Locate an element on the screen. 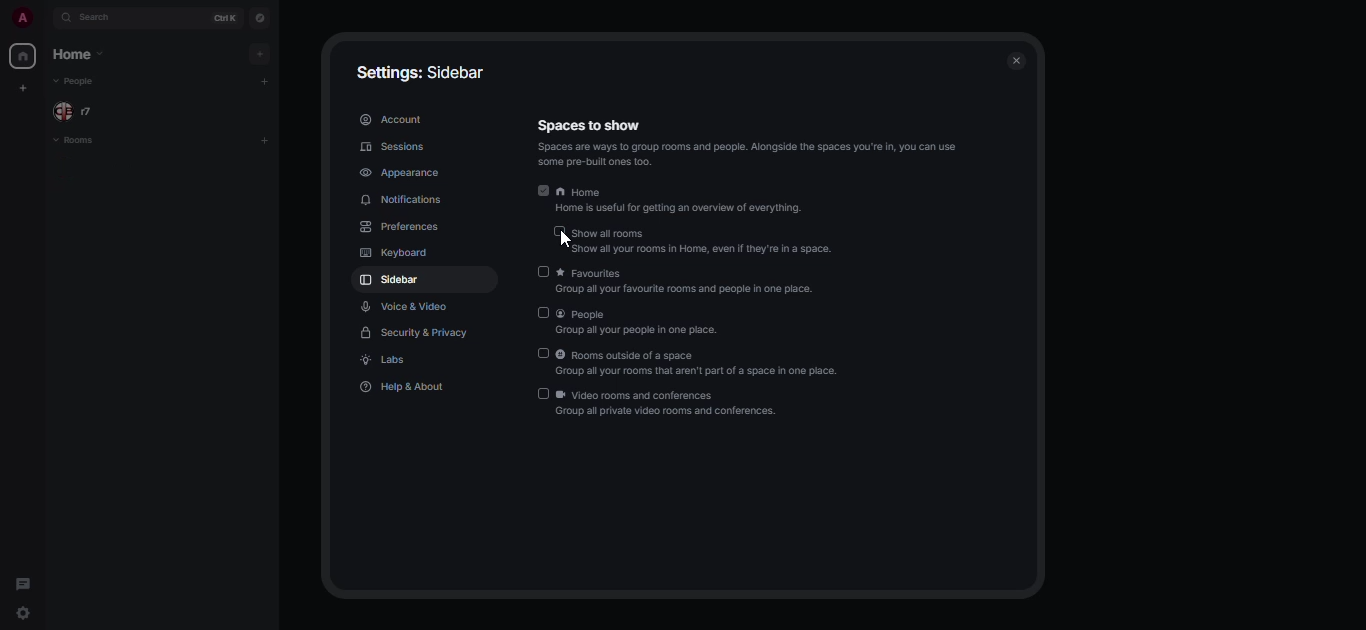  quick settings is located at coordinates (24, 615).